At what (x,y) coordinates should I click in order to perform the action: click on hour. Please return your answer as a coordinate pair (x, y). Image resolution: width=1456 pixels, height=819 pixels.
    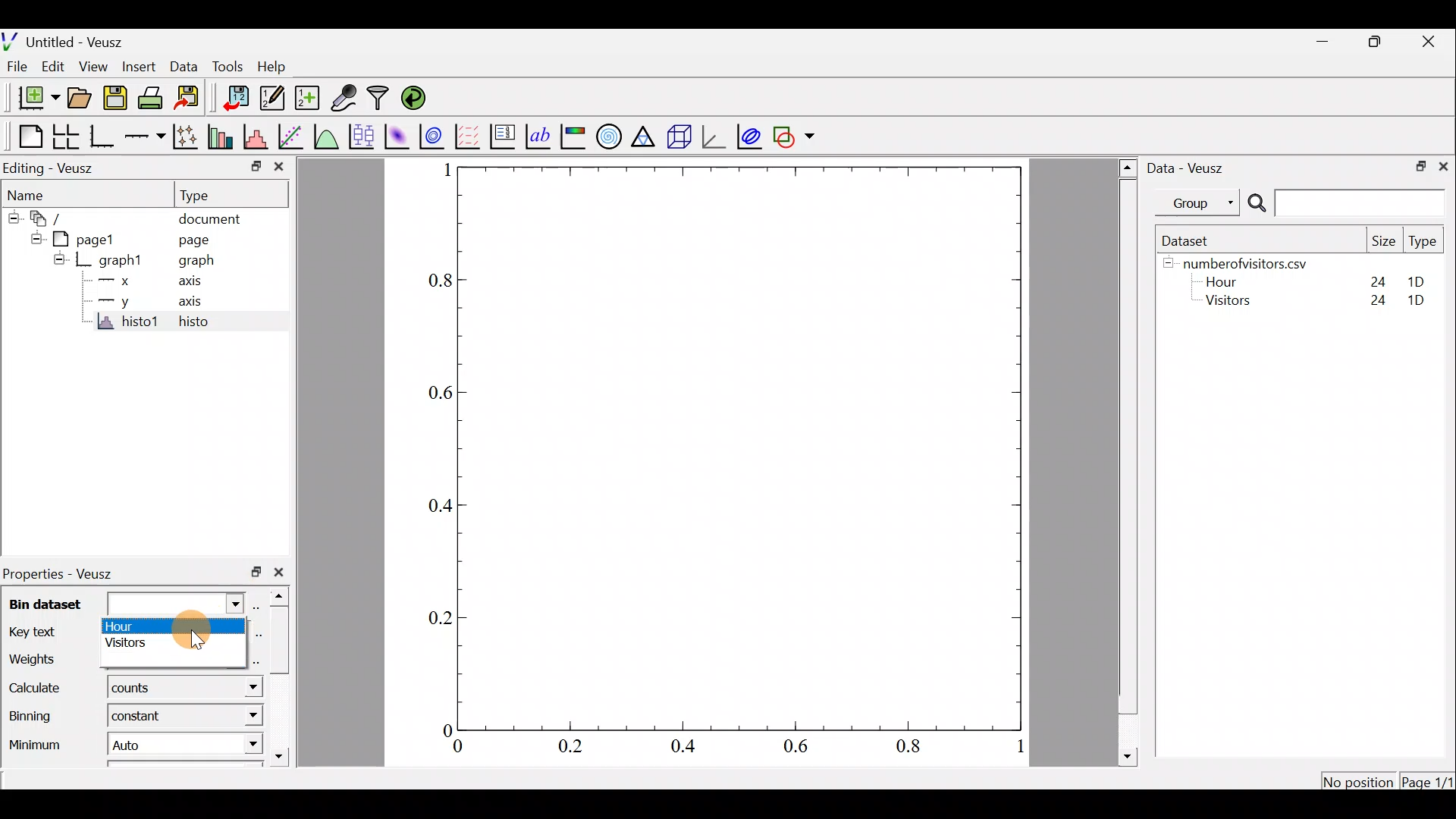
    Looking at the image, I should click on (155, 626).